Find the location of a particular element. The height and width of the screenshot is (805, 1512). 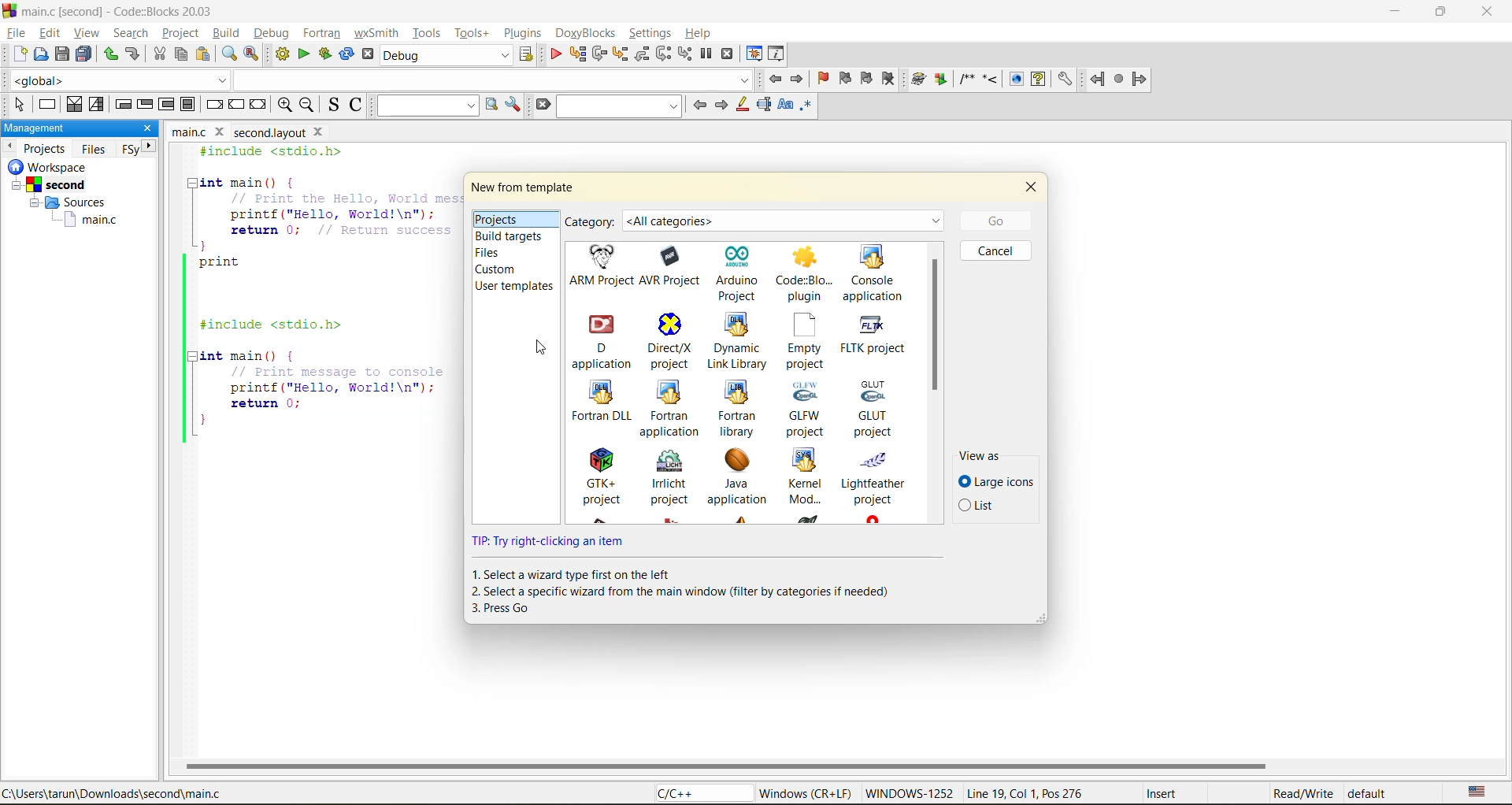

code bio plugin is located at coordinates (806, 275).